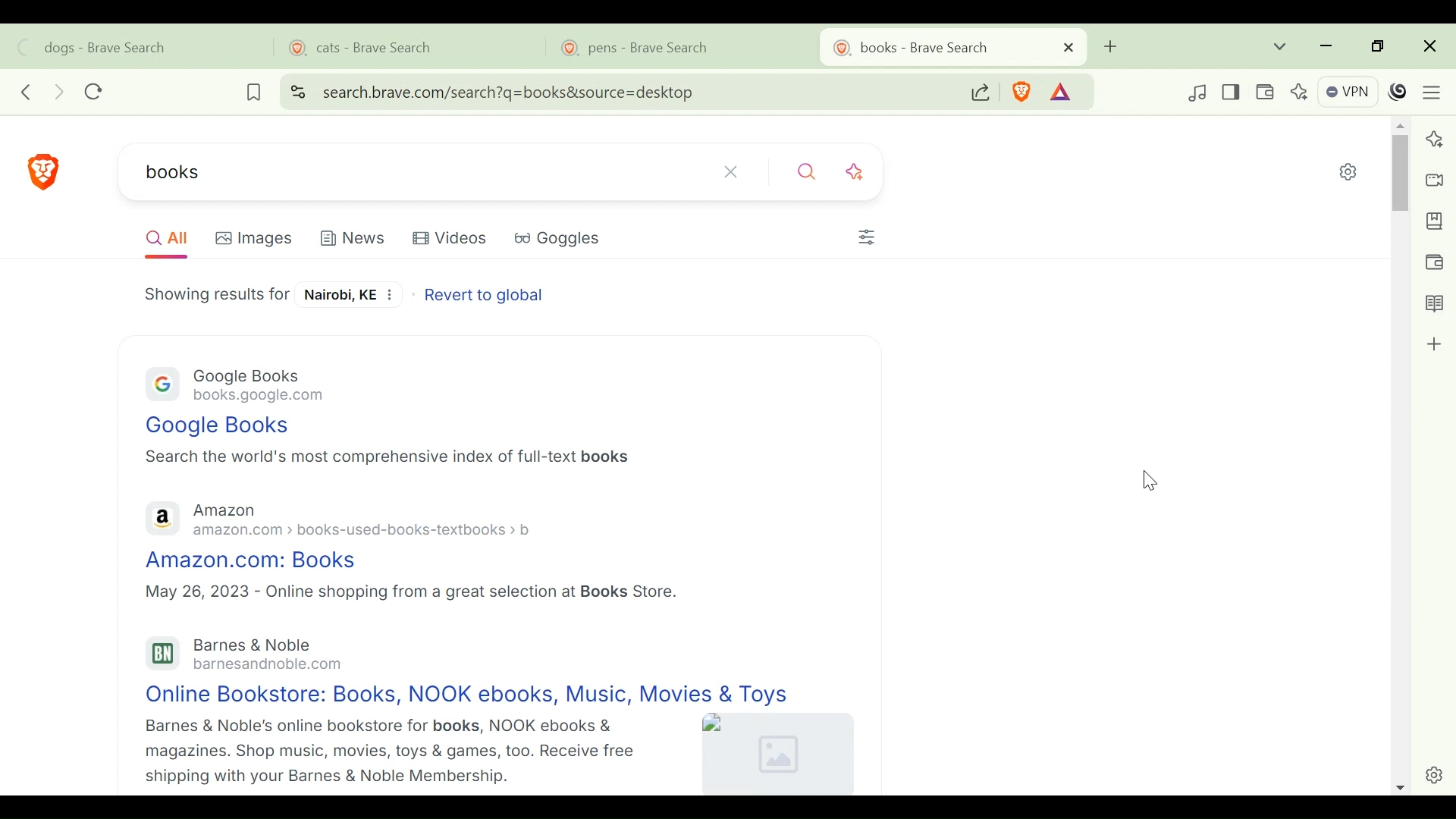 This screenshot has width=1456, height=819. I want to click on barnesandnoble.com, so click(273, 664).